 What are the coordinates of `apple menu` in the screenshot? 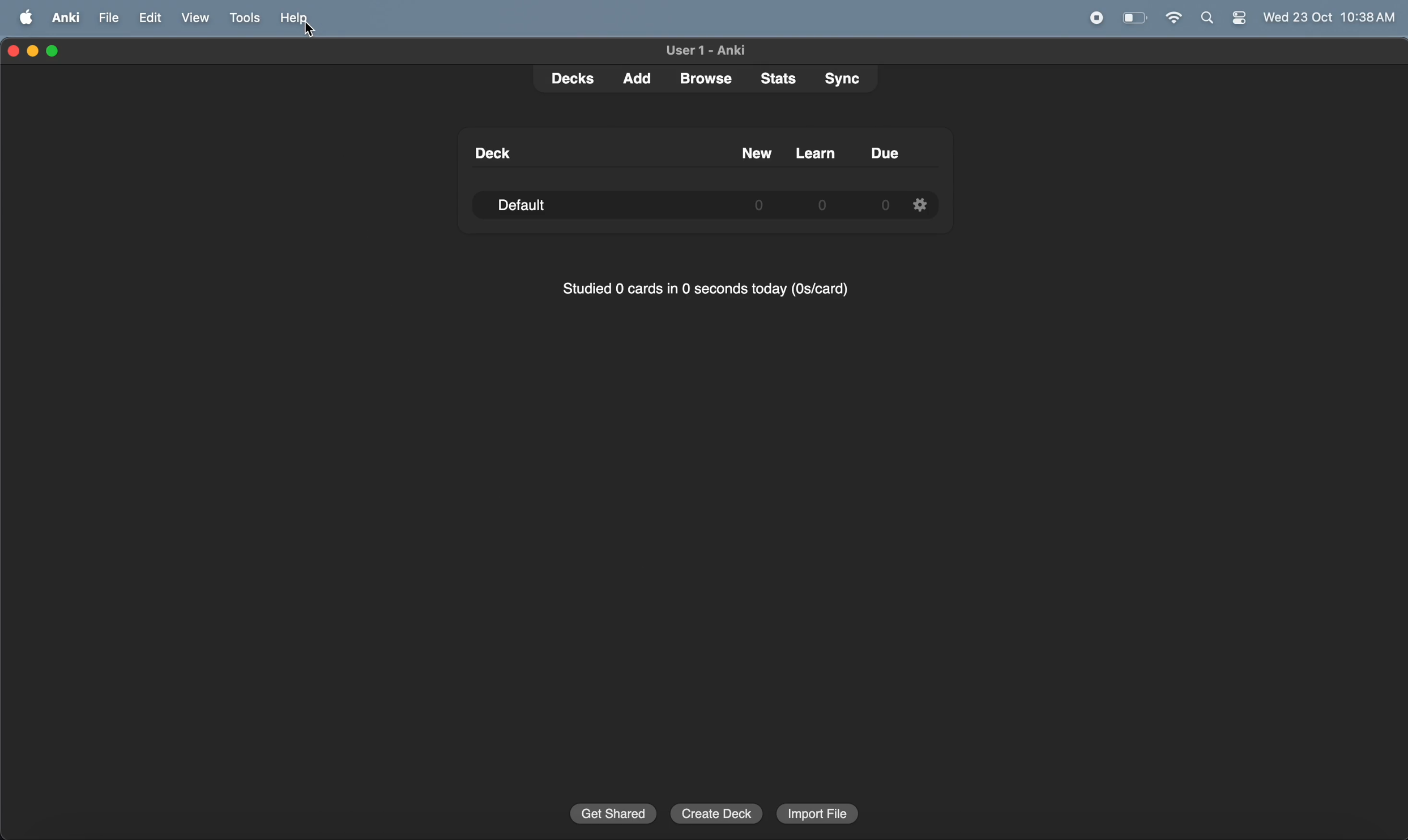 It's located at (22, 18).